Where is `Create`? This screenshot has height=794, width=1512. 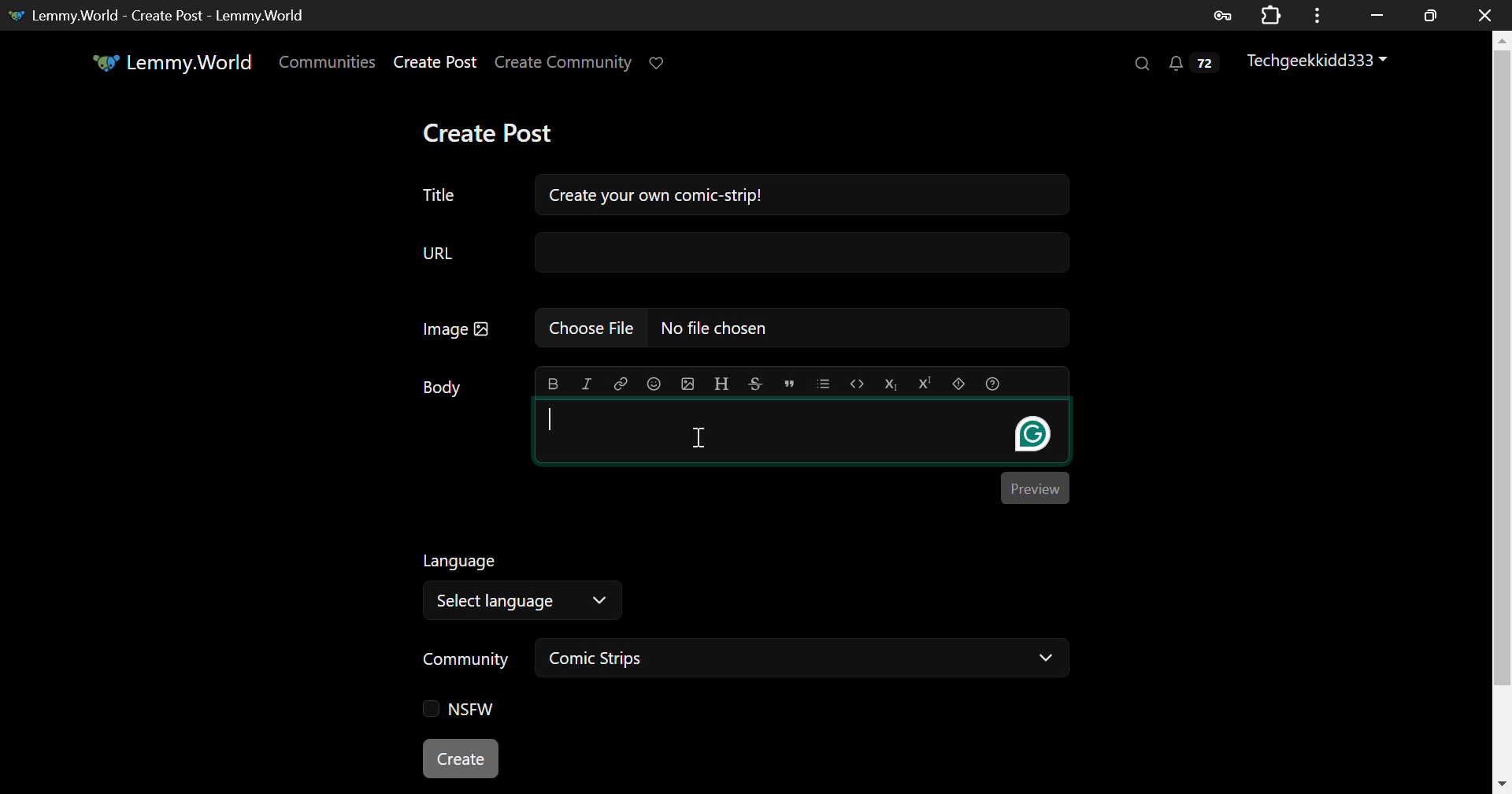
Create is located at coordinates (462, 760).